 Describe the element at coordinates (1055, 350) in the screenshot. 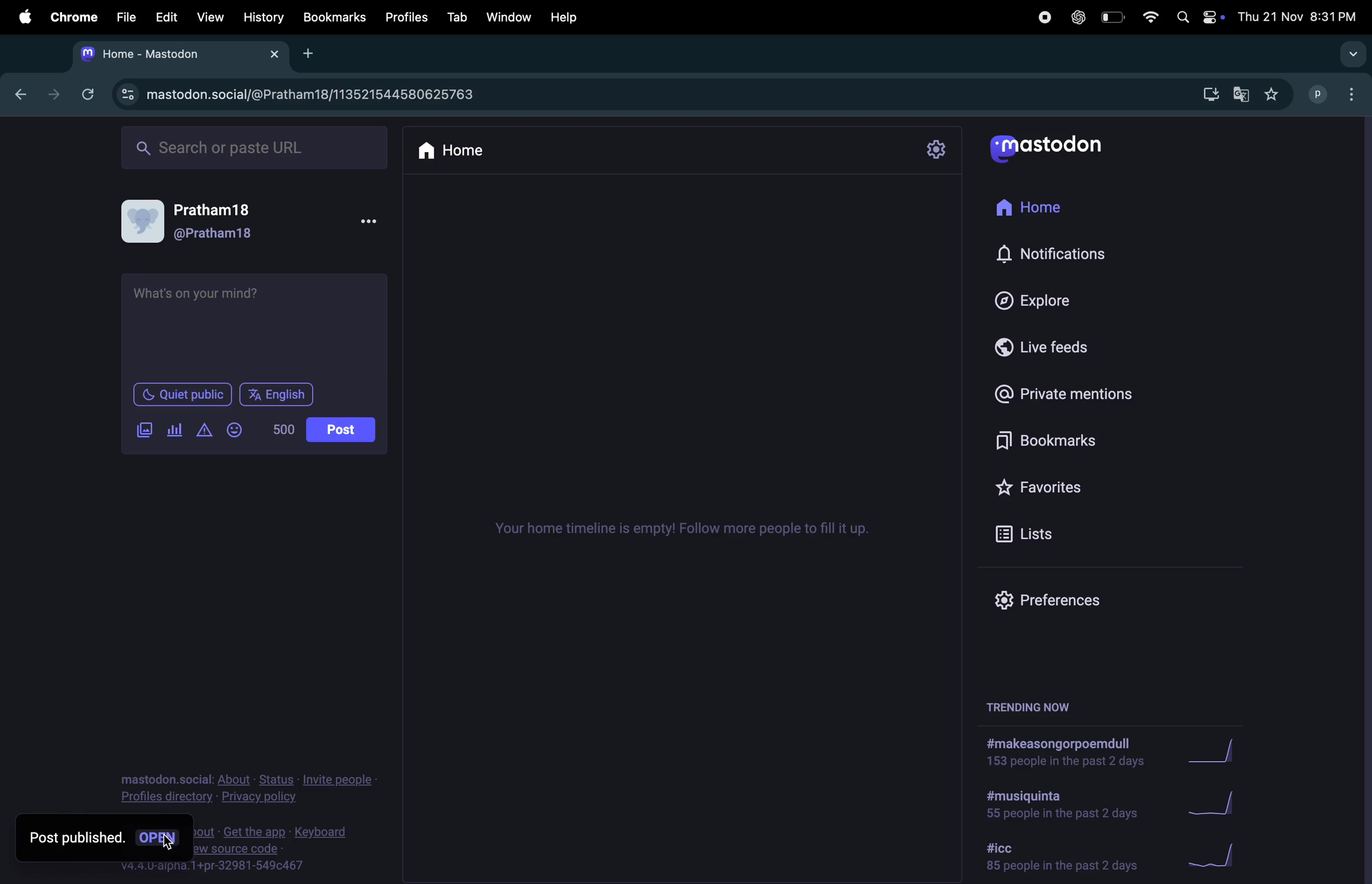

I see `live feeds` at that location.